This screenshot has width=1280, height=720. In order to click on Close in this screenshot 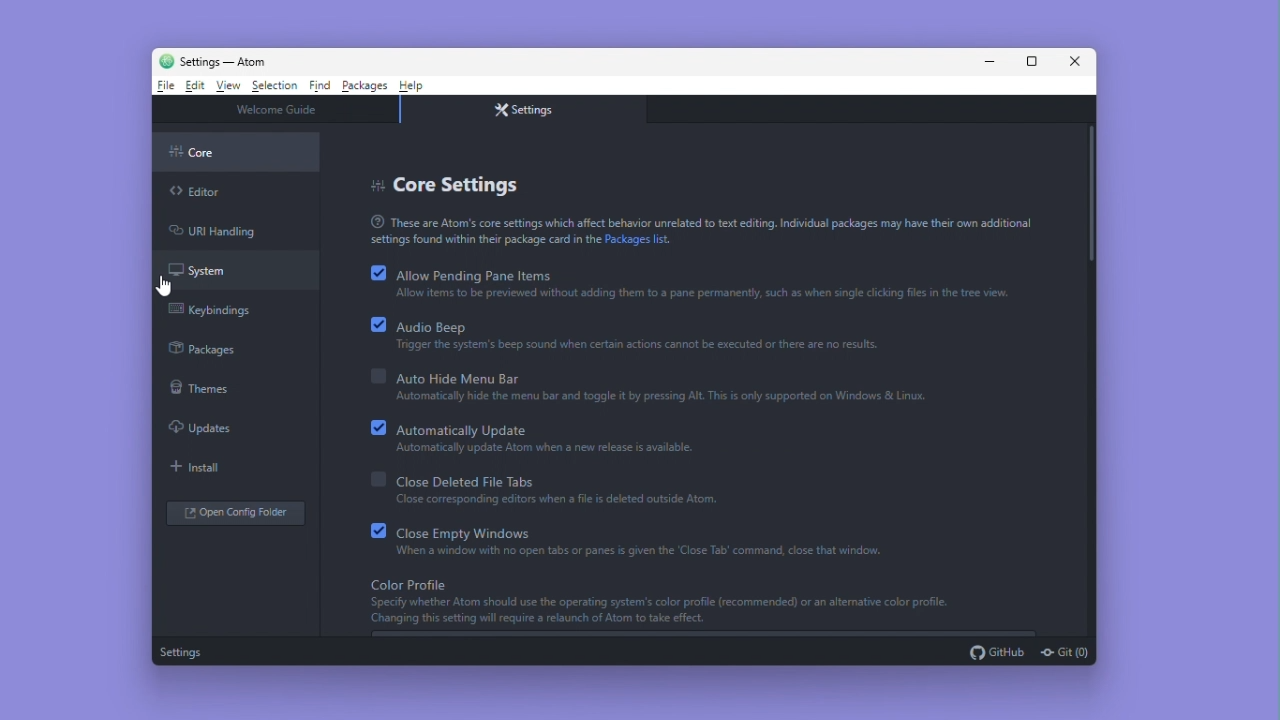, I will do `click(1076, 59)`.